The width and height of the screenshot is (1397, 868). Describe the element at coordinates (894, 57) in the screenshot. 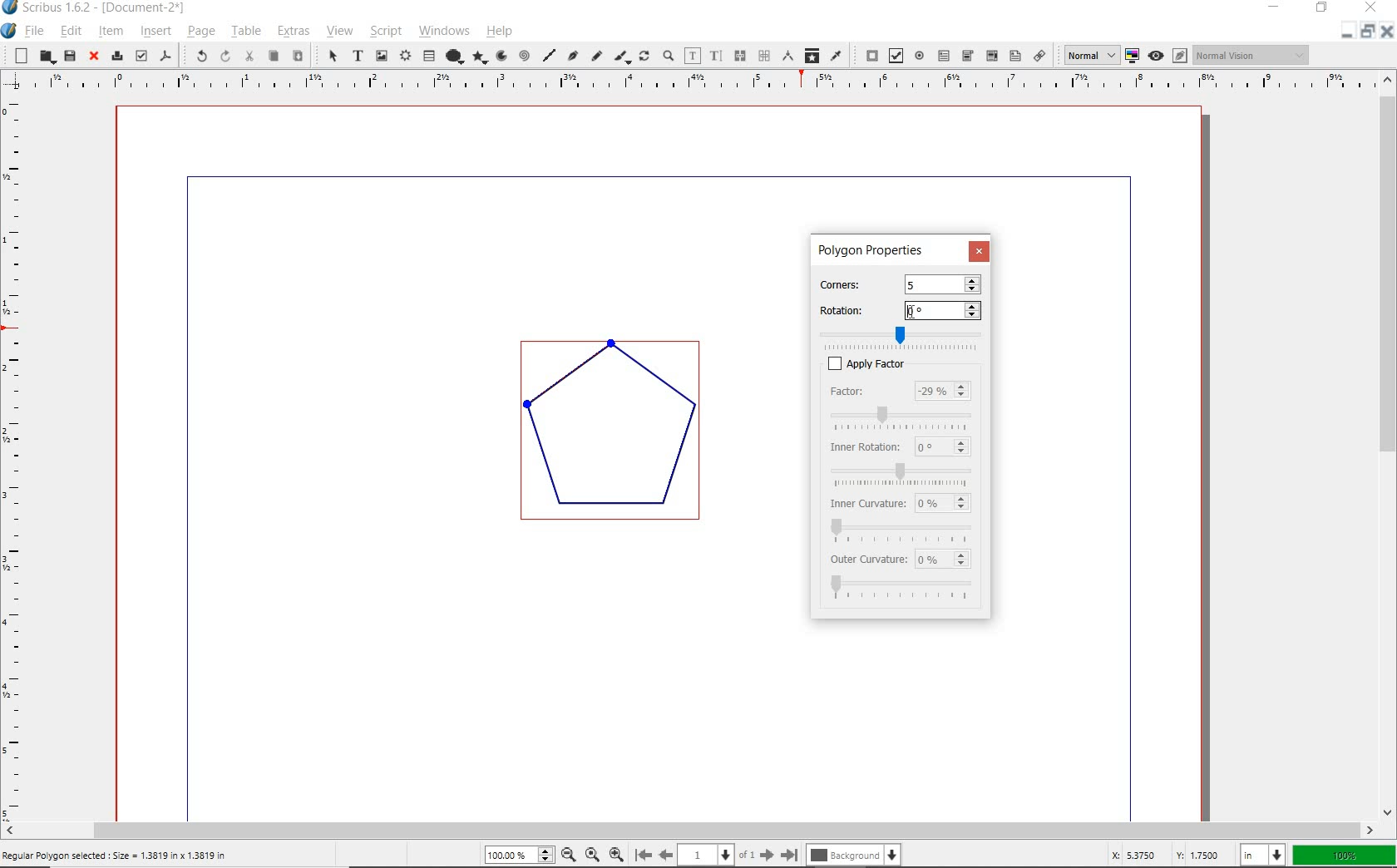

I see `pdf check box` at that location.